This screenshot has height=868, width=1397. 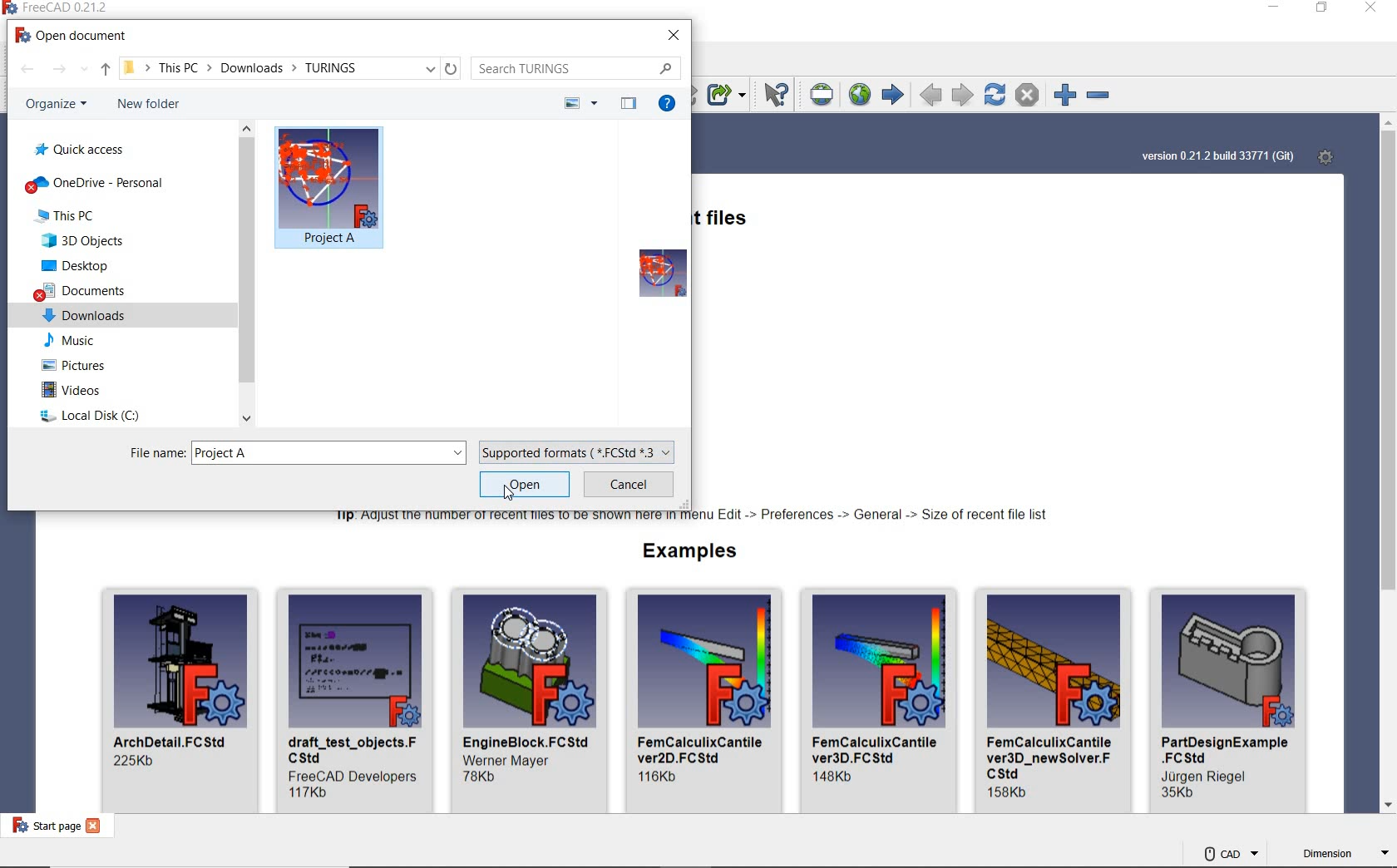 I want to click on UP TO, so click(x=106, y=70).